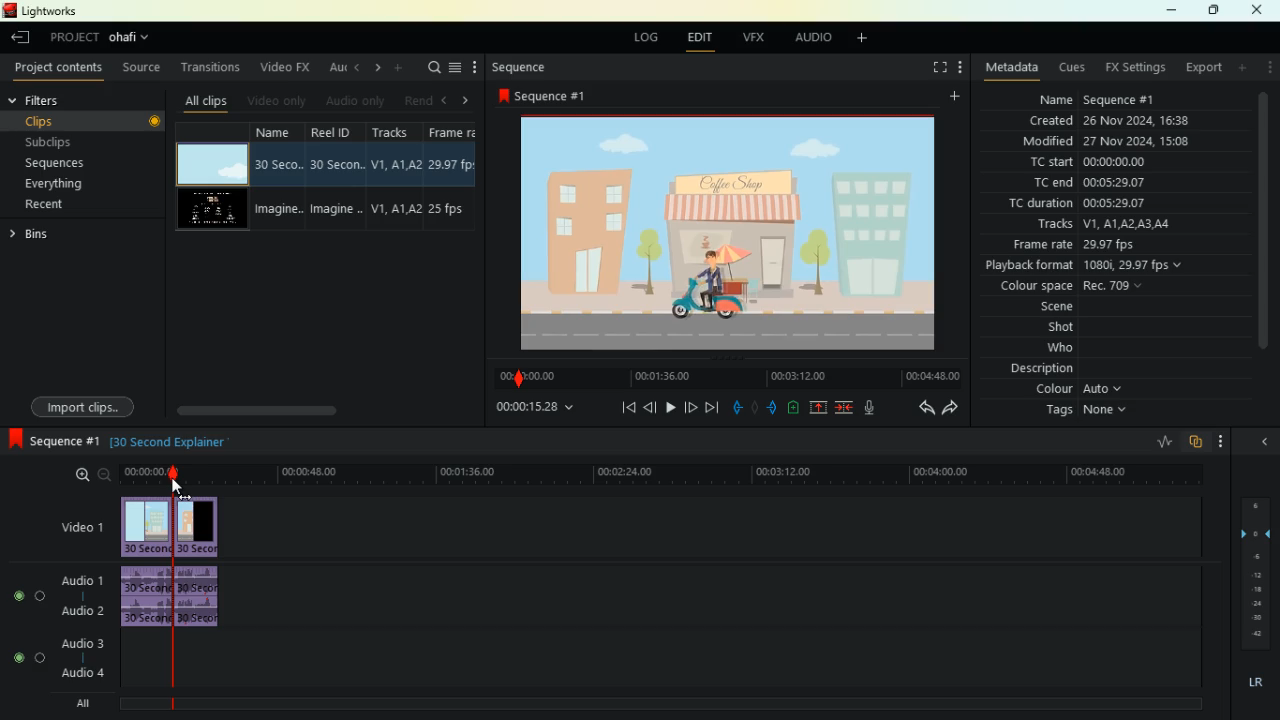 The image size is (1280, 720). I want to click on overlap, so click(1196, 441).